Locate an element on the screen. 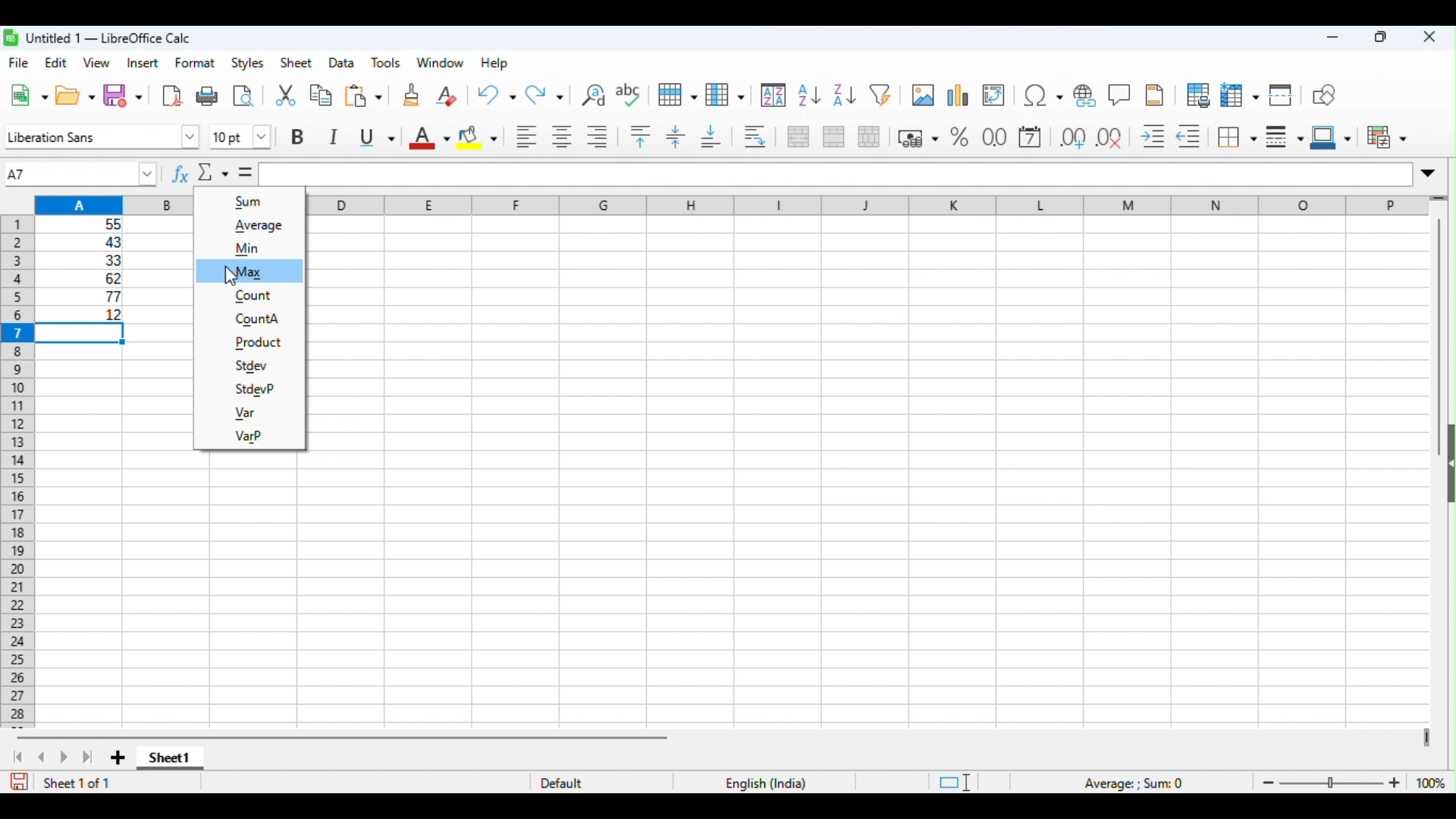 The image size is (1456, 819). save is located at coordinates (19, 782).